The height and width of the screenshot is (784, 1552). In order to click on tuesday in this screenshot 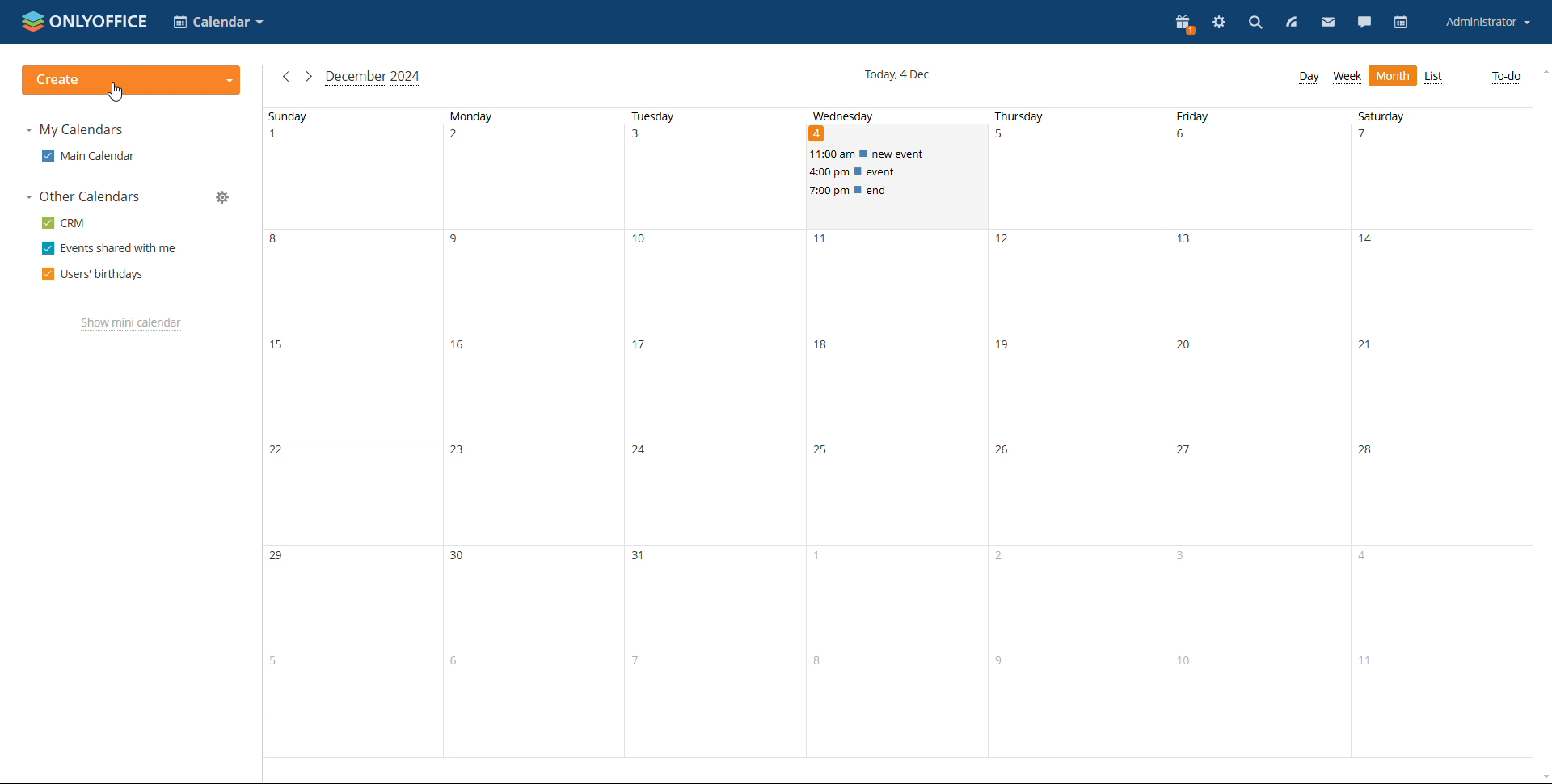, I will do `click(716, 434)`.